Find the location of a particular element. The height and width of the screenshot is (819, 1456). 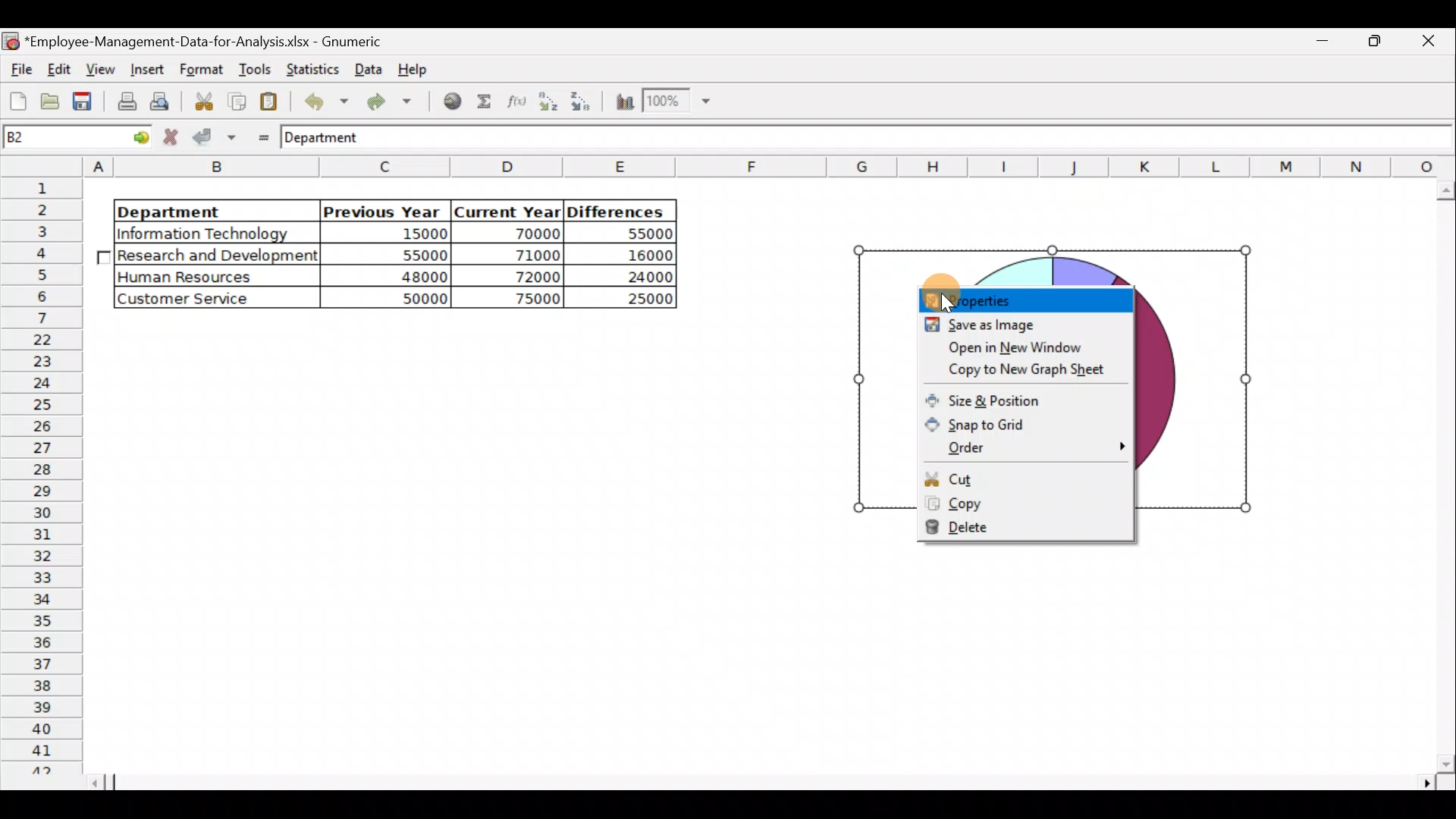

Copy to new graph sheet is located at coordinates (1028, 368).